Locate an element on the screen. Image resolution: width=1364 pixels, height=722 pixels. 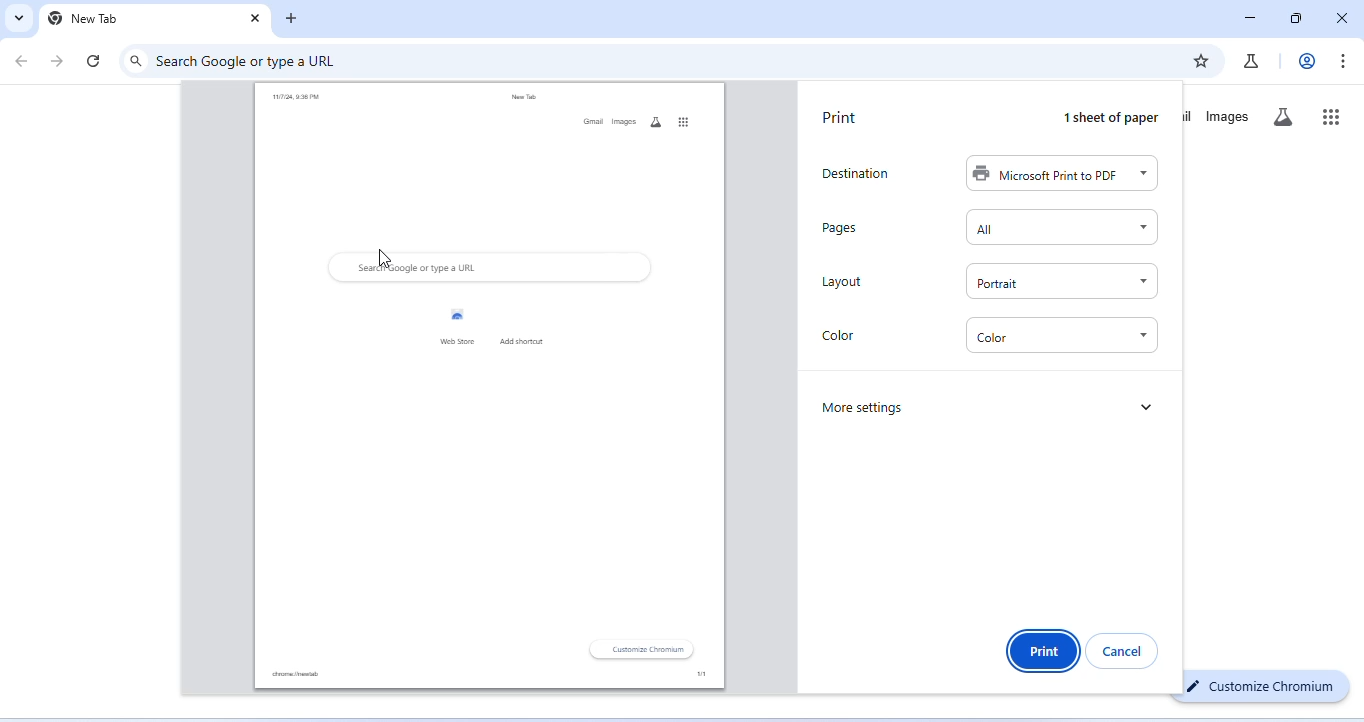
Cursor is located at coordinates (383, 258).